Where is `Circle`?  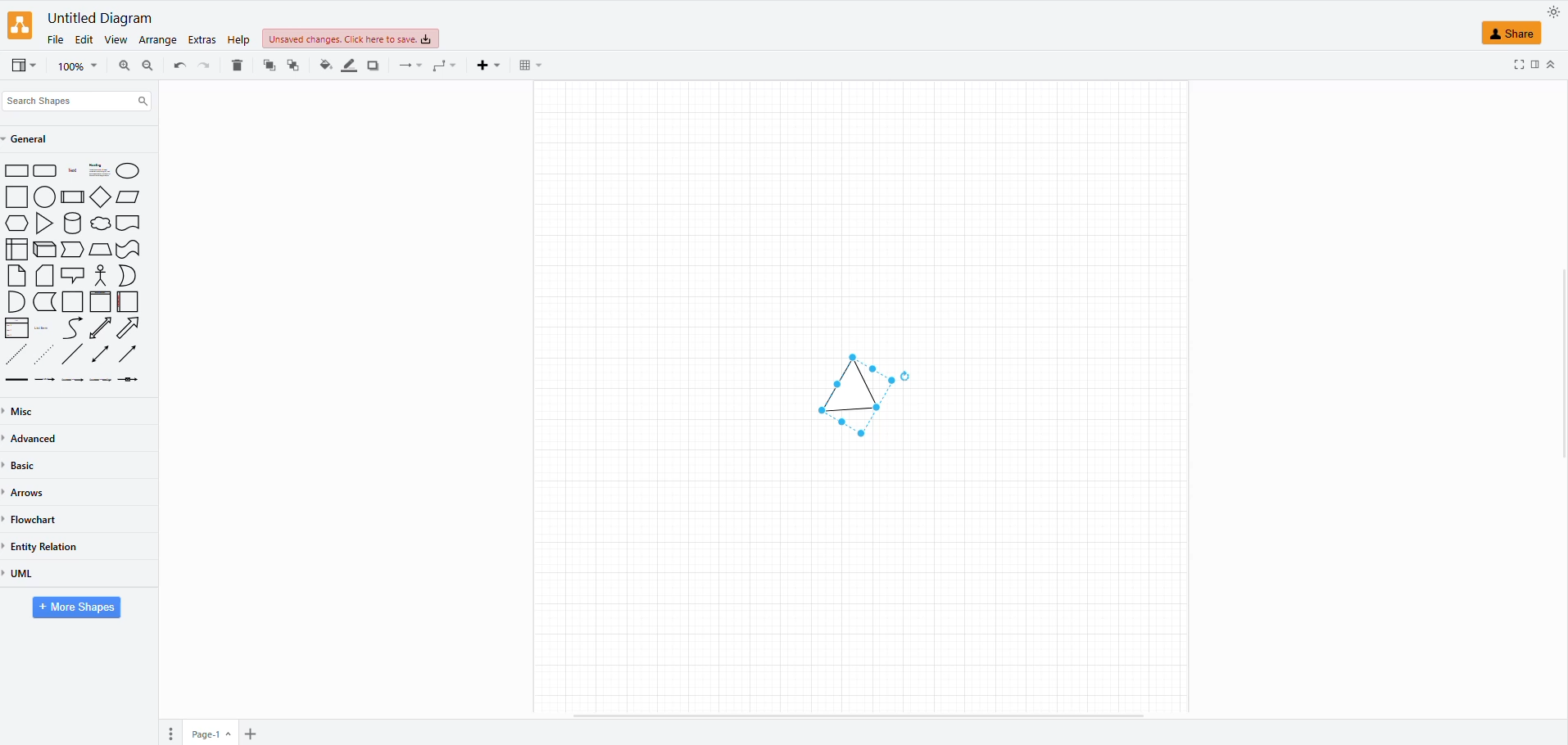 Circle is located at coordinates (128, 170).